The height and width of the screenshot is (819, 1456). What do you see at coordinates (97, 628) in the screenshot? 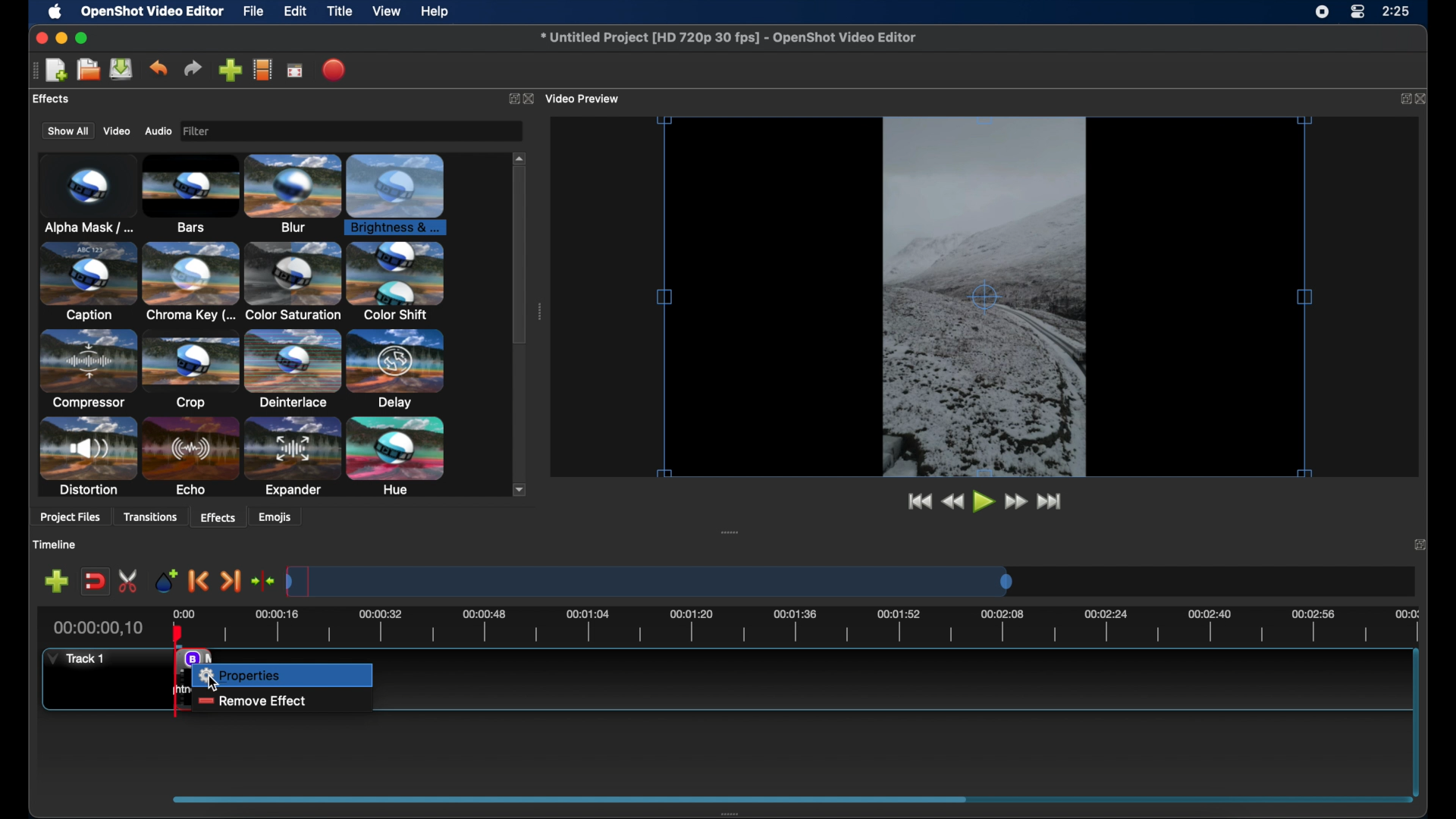
I see `current time indicator` at bounding box center [97, 628].